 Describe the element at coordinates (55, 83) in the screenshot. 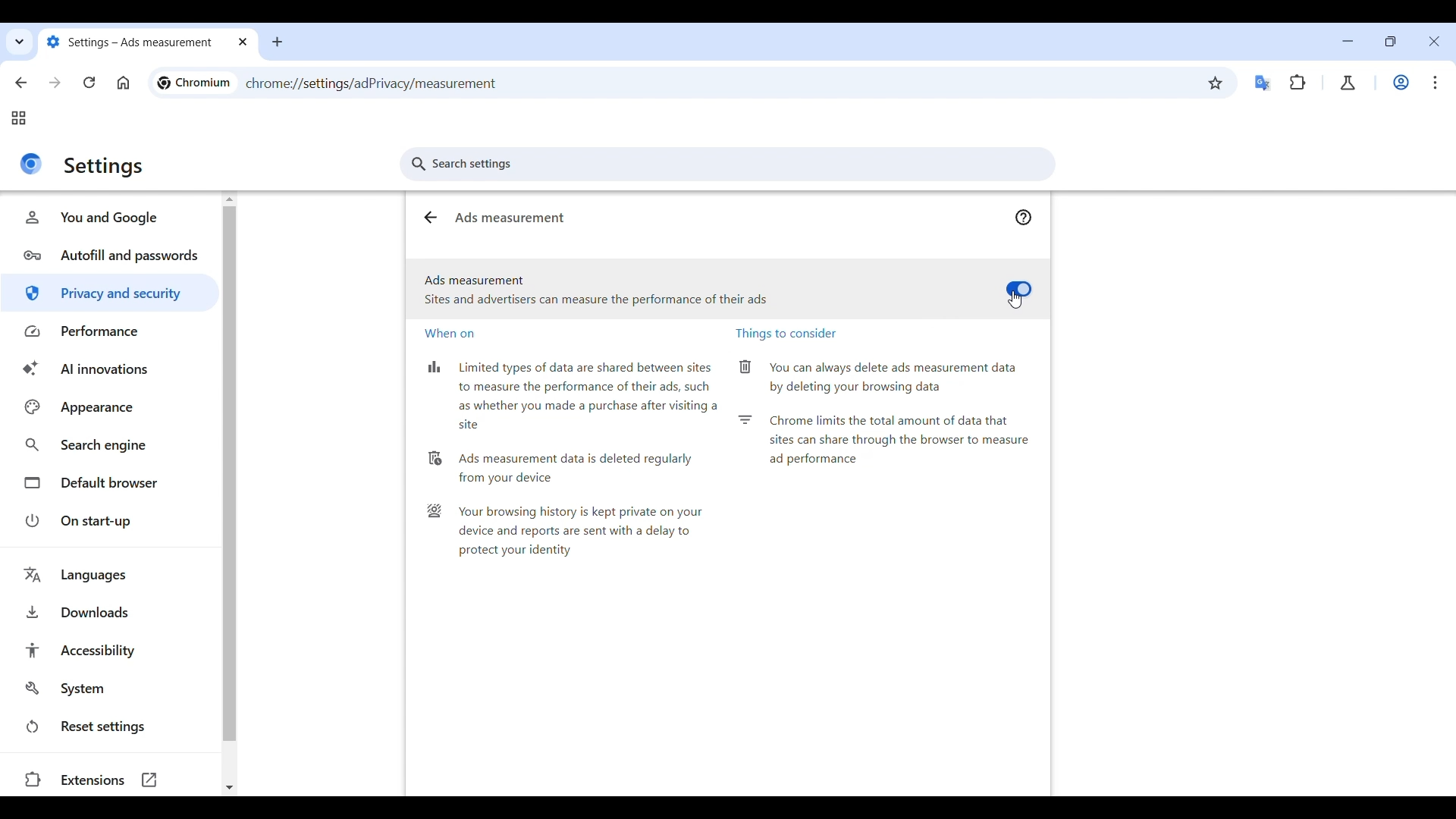

I see `Go forward` at that location.